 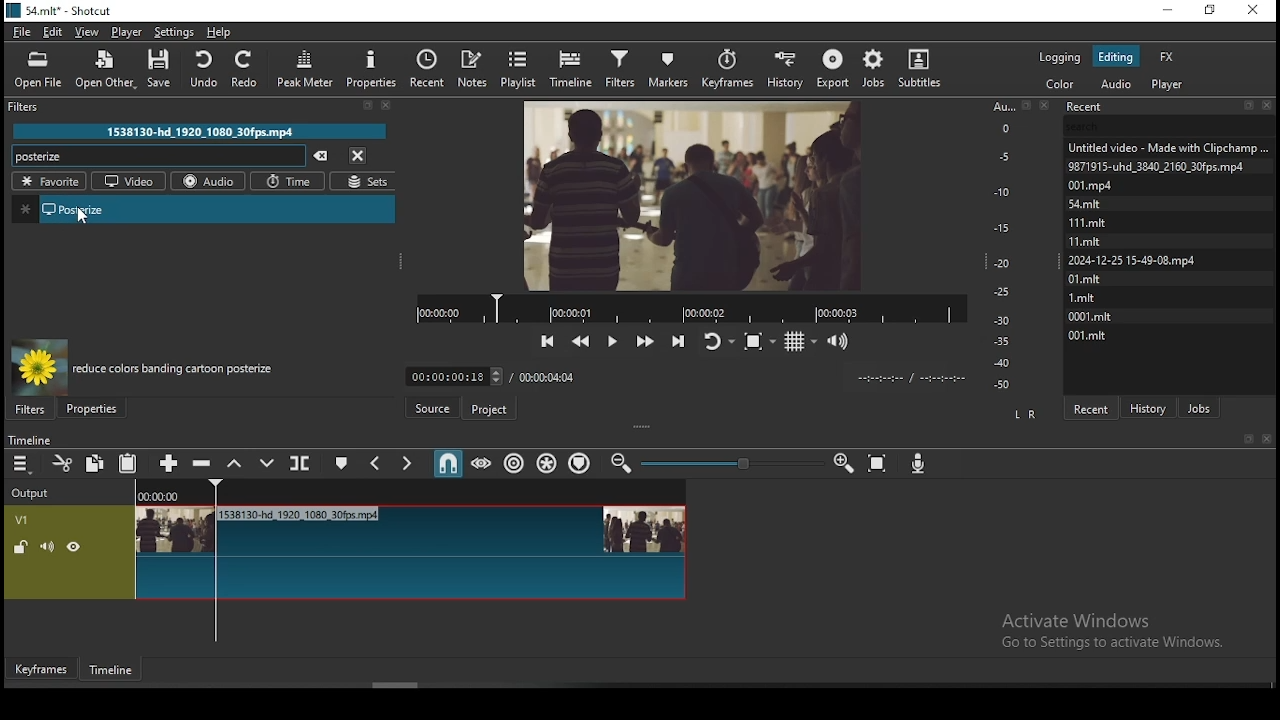 What do you see at coordinates (482, 465) in the screenshot?
I see `scrub while dragging` at bounding box center [482, 465].